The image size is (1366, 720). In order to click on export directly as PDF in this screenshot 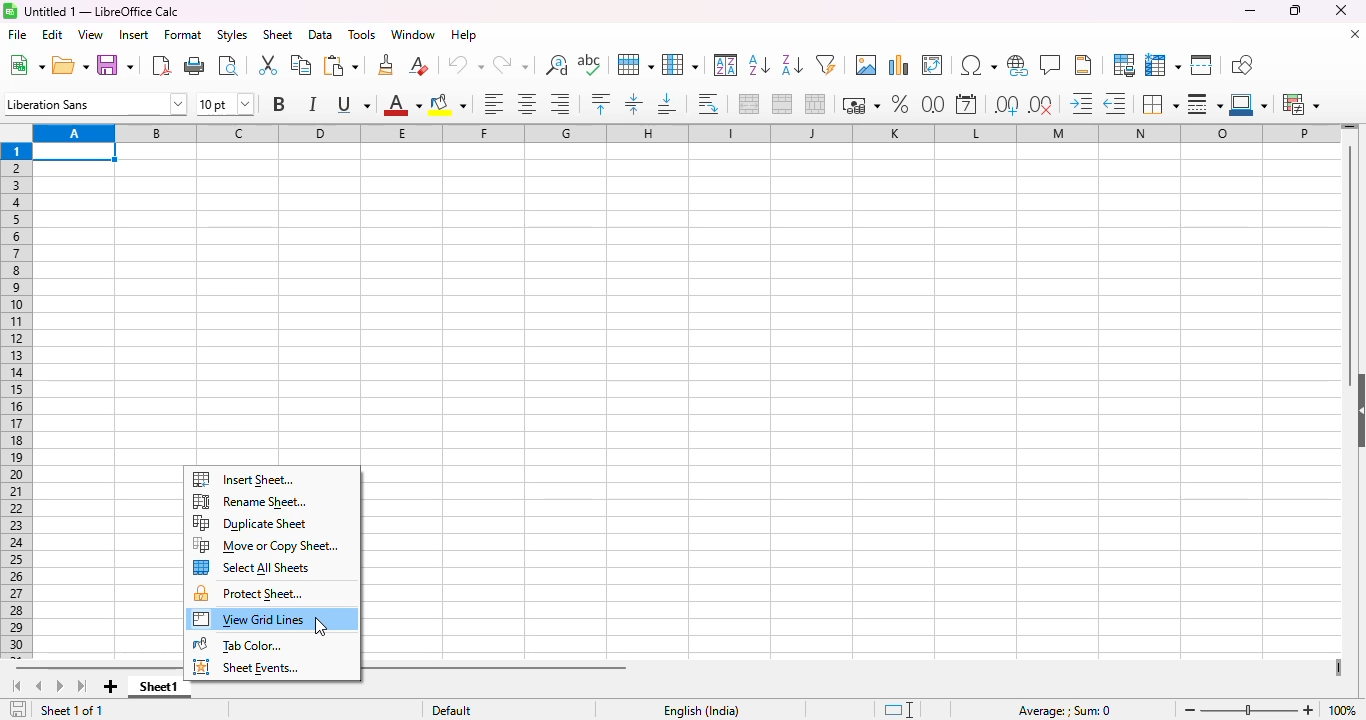, I will do `click(161, 65)`.